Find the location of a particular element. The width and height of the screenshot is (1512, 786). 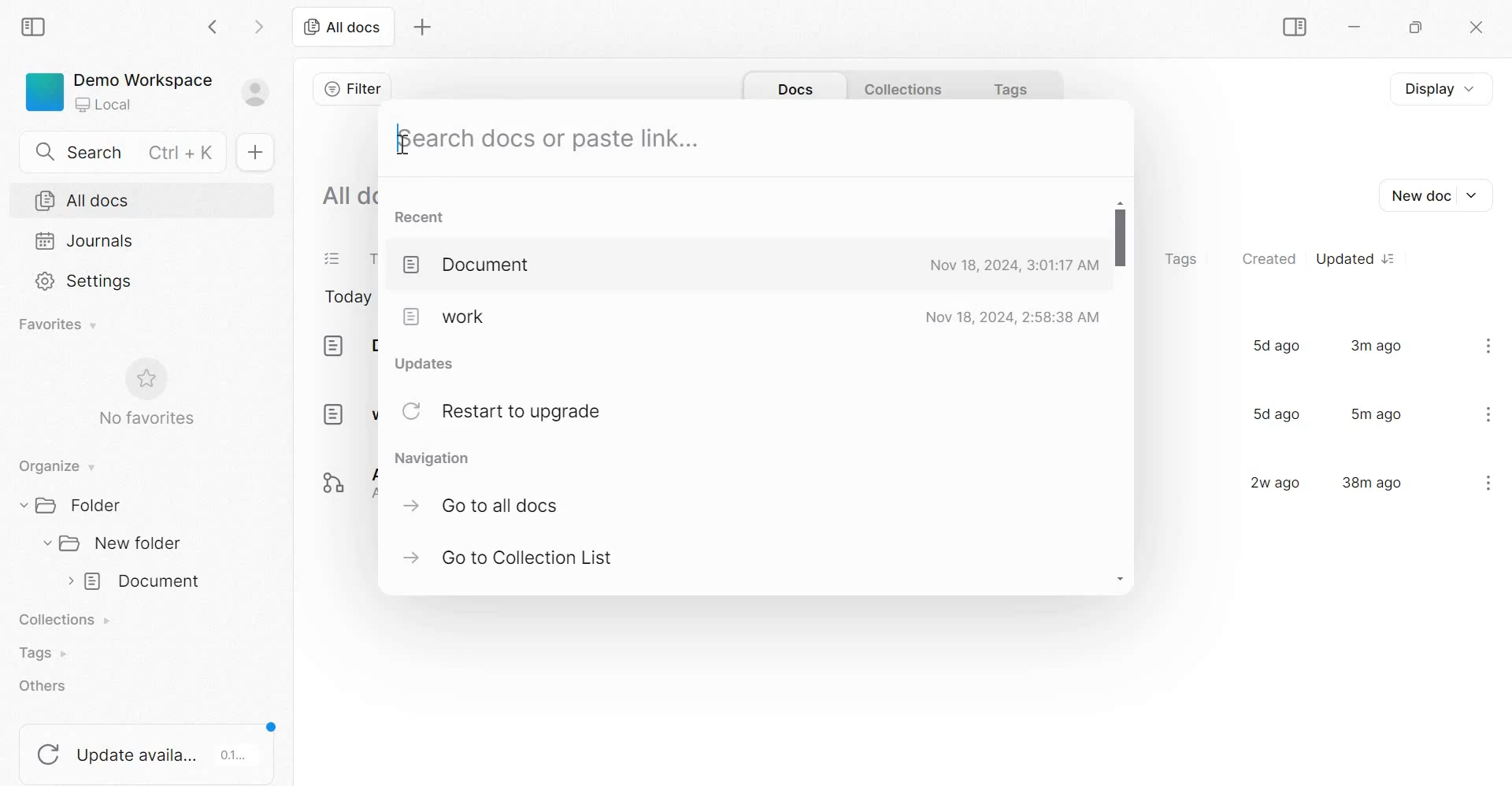

cursor is located at coordinates (405, 146).